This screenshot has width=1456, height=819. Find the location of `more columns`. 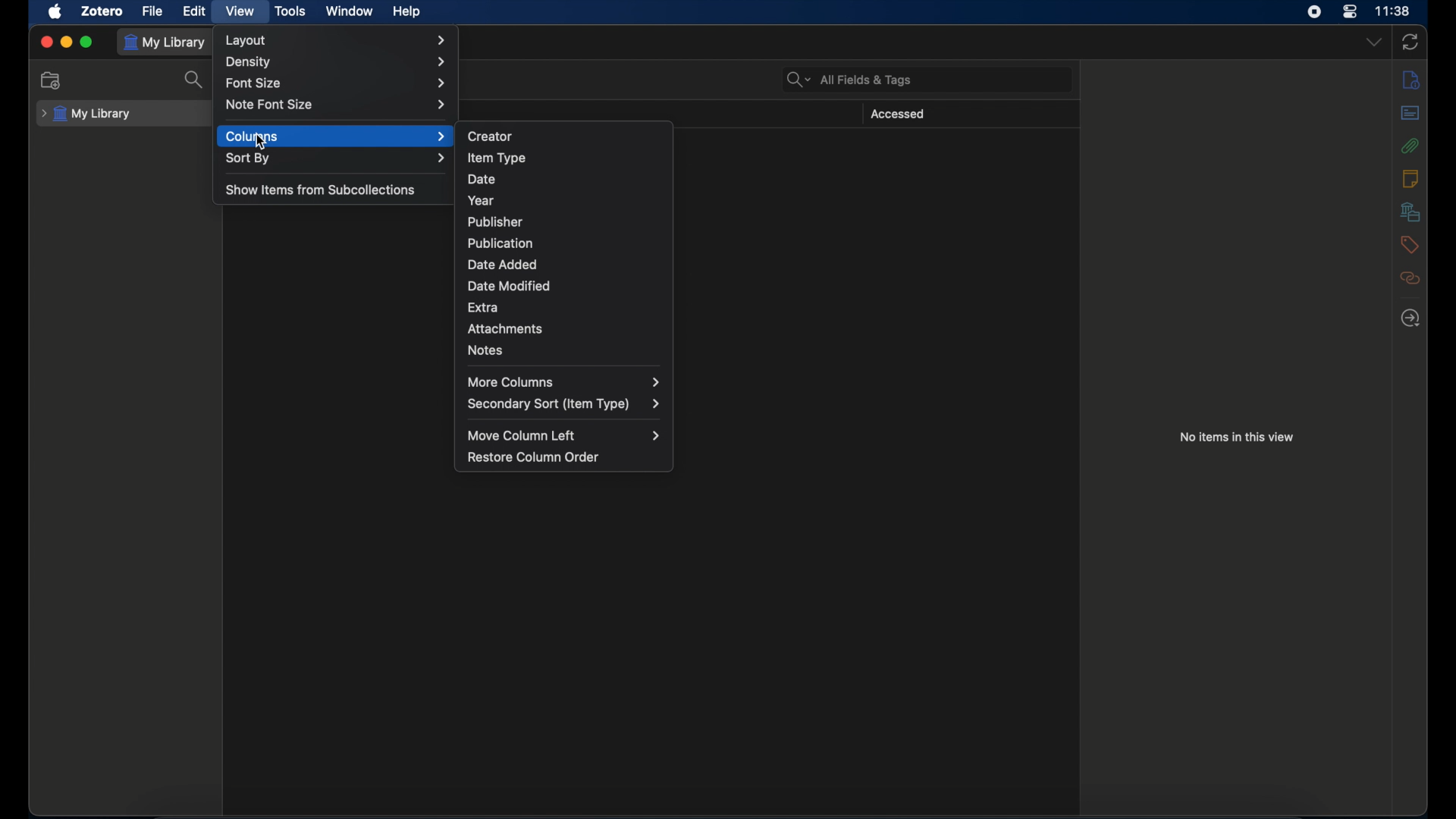

more columns is located at coordinates (563, 383).